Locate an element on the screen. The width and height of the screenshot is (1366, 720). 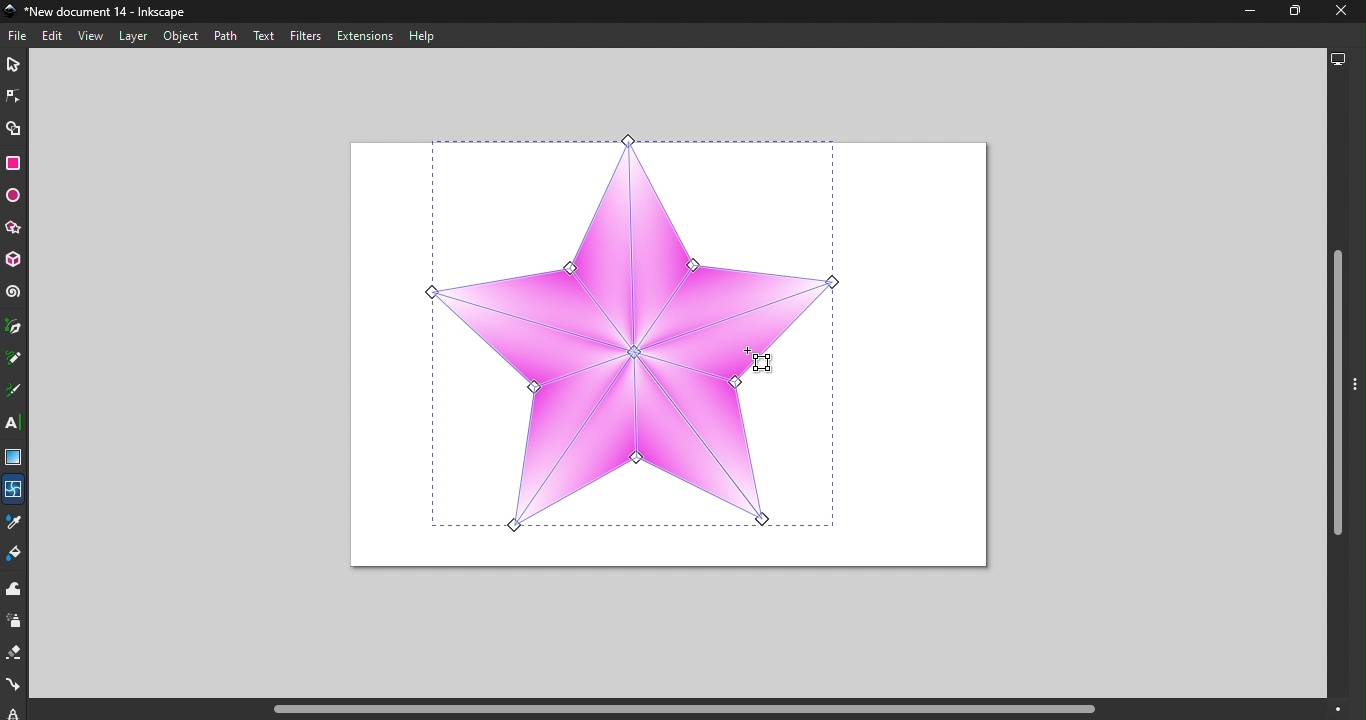
Edit is located at coordinates (55, 36).